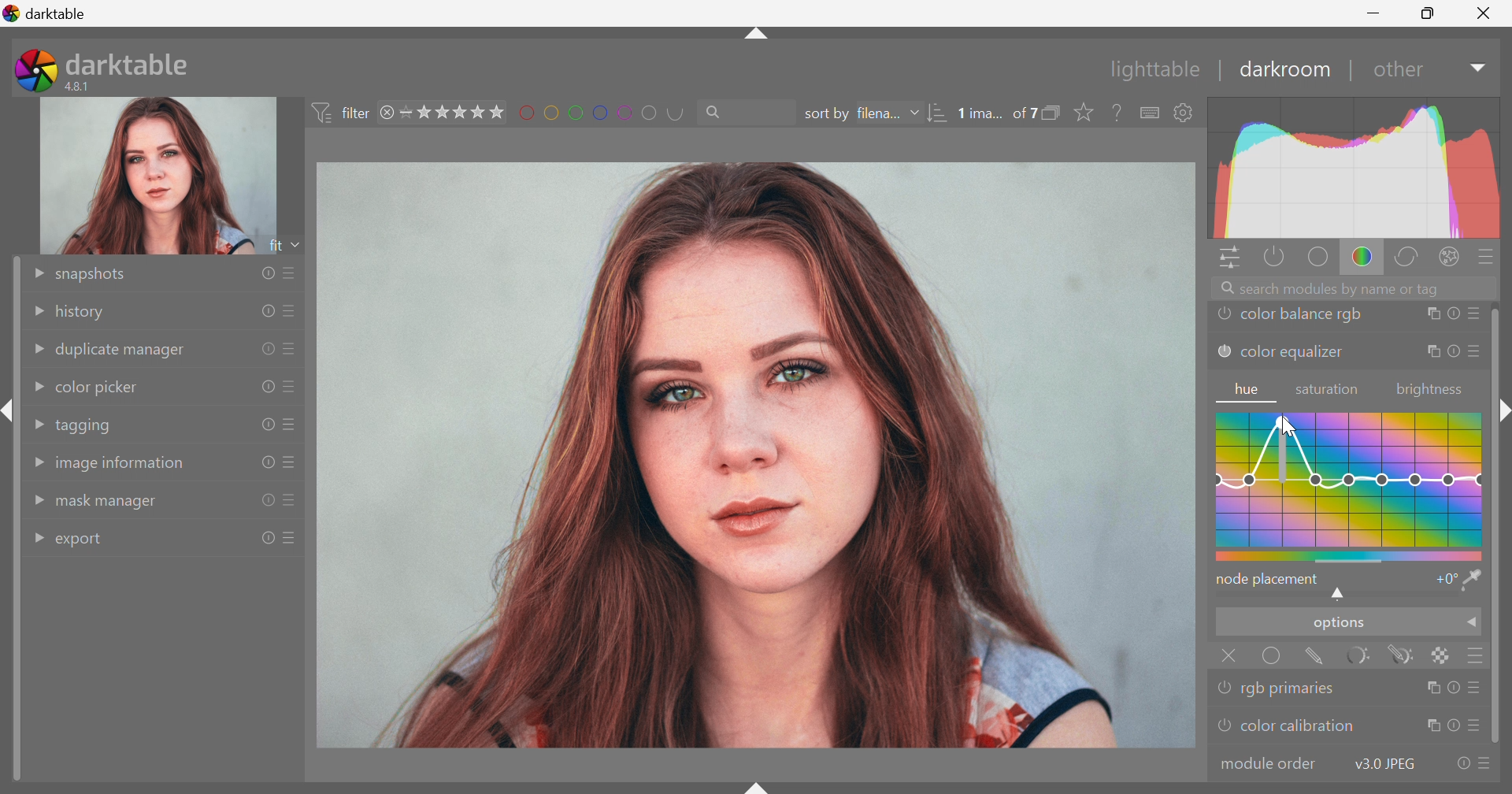 This screenshot has height=794, width=1512. I want to click on shift+ctrl+t, so click(754, 38).